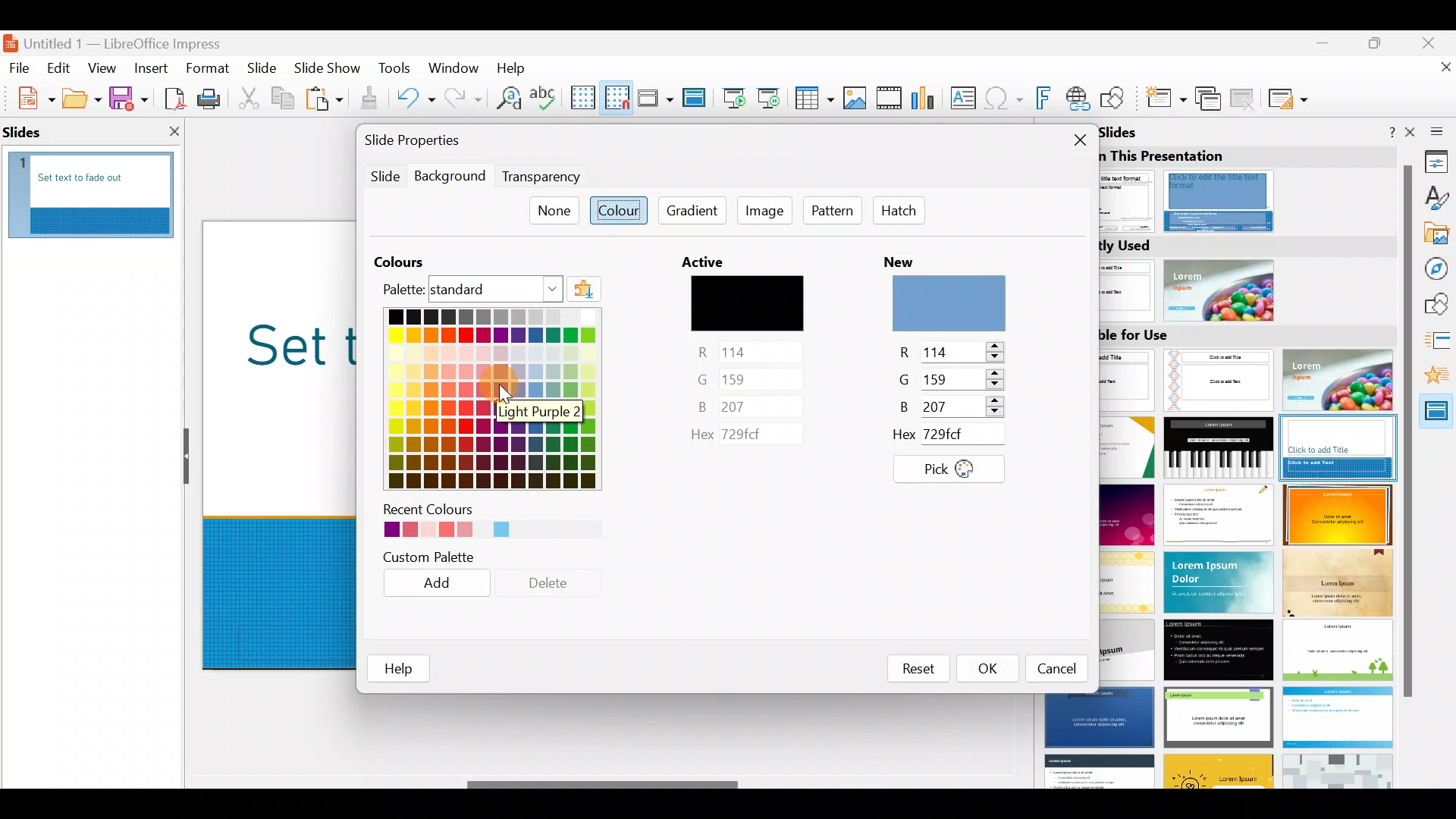  What do you see at coordinates (505, 391) in the screenshot?
I see `Cursor` at bounding box center [505, 391].